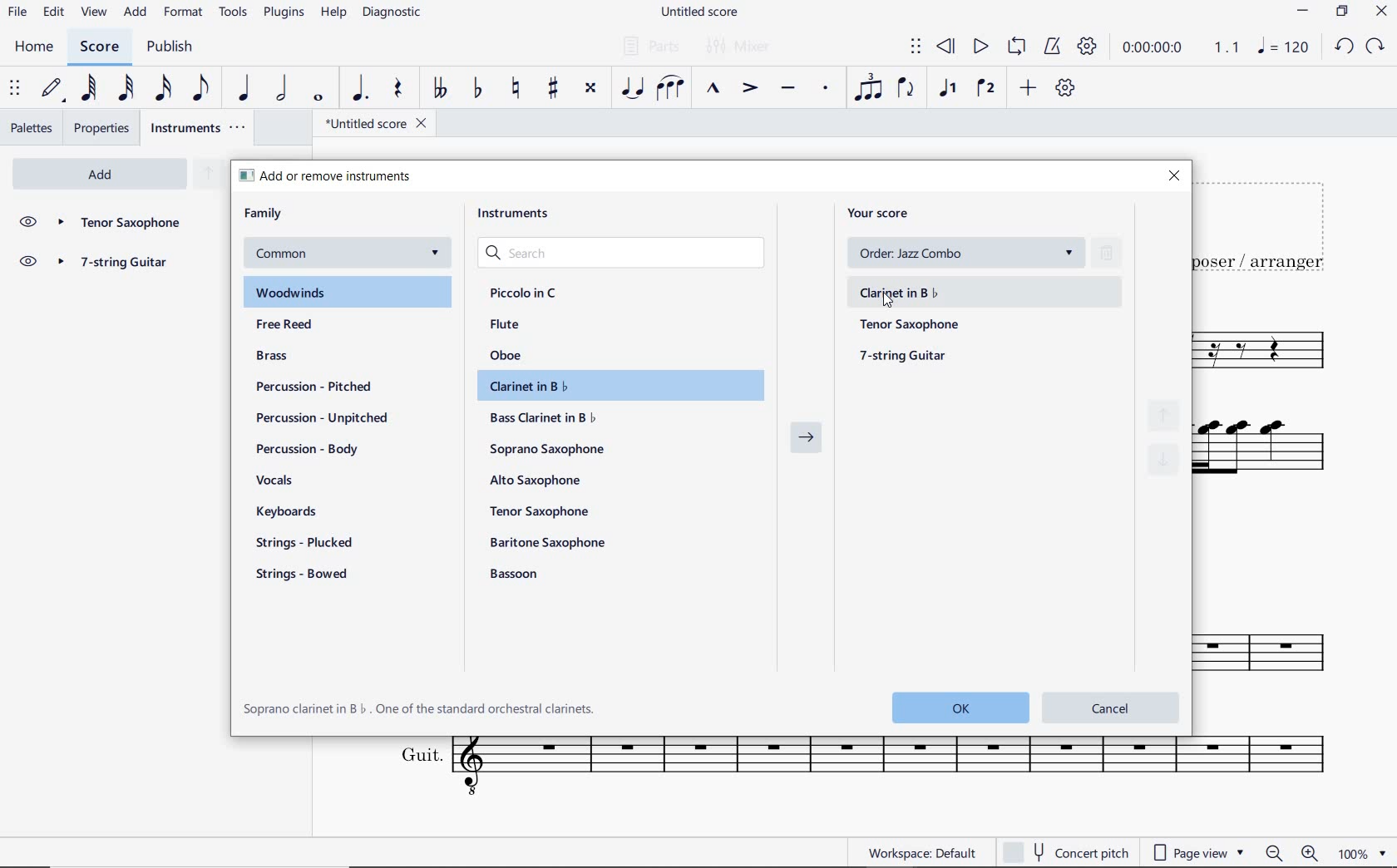  Describe the element at coordinates (884, 213) in the screenshot. I see `your score` at that location.